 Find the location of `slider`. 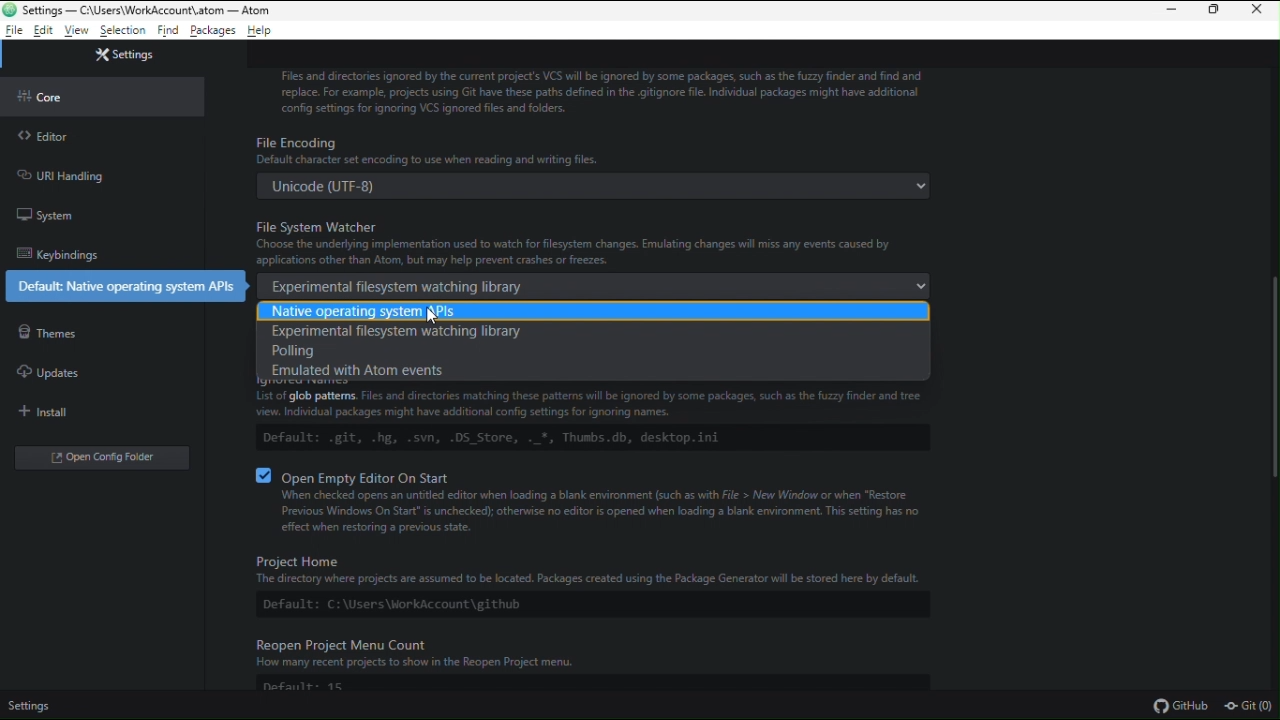

slider is located at coordinates (1263, 378).